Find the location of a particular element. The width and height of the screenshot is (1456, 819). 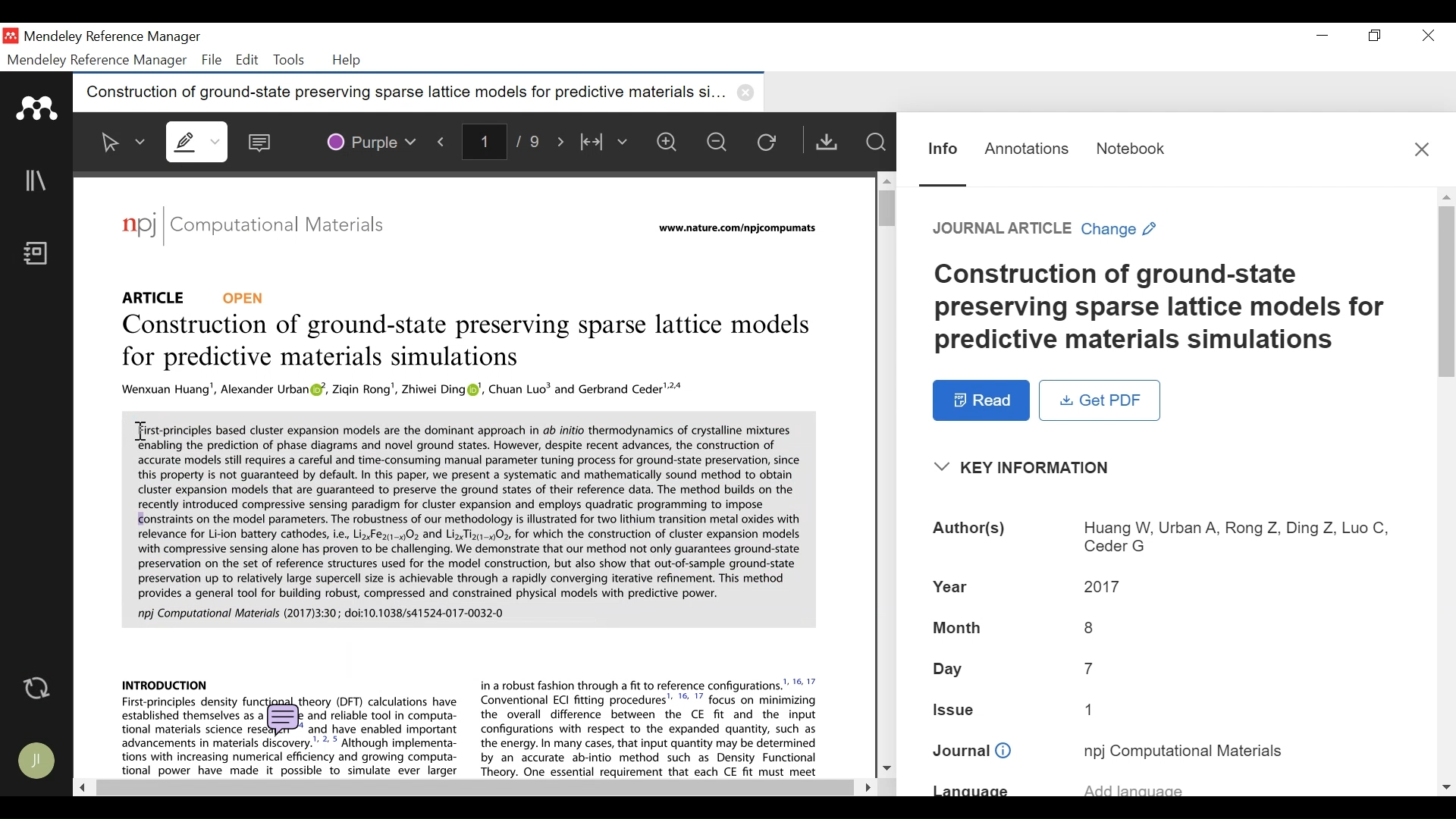

Next Page is located at coordinates (563, 140).